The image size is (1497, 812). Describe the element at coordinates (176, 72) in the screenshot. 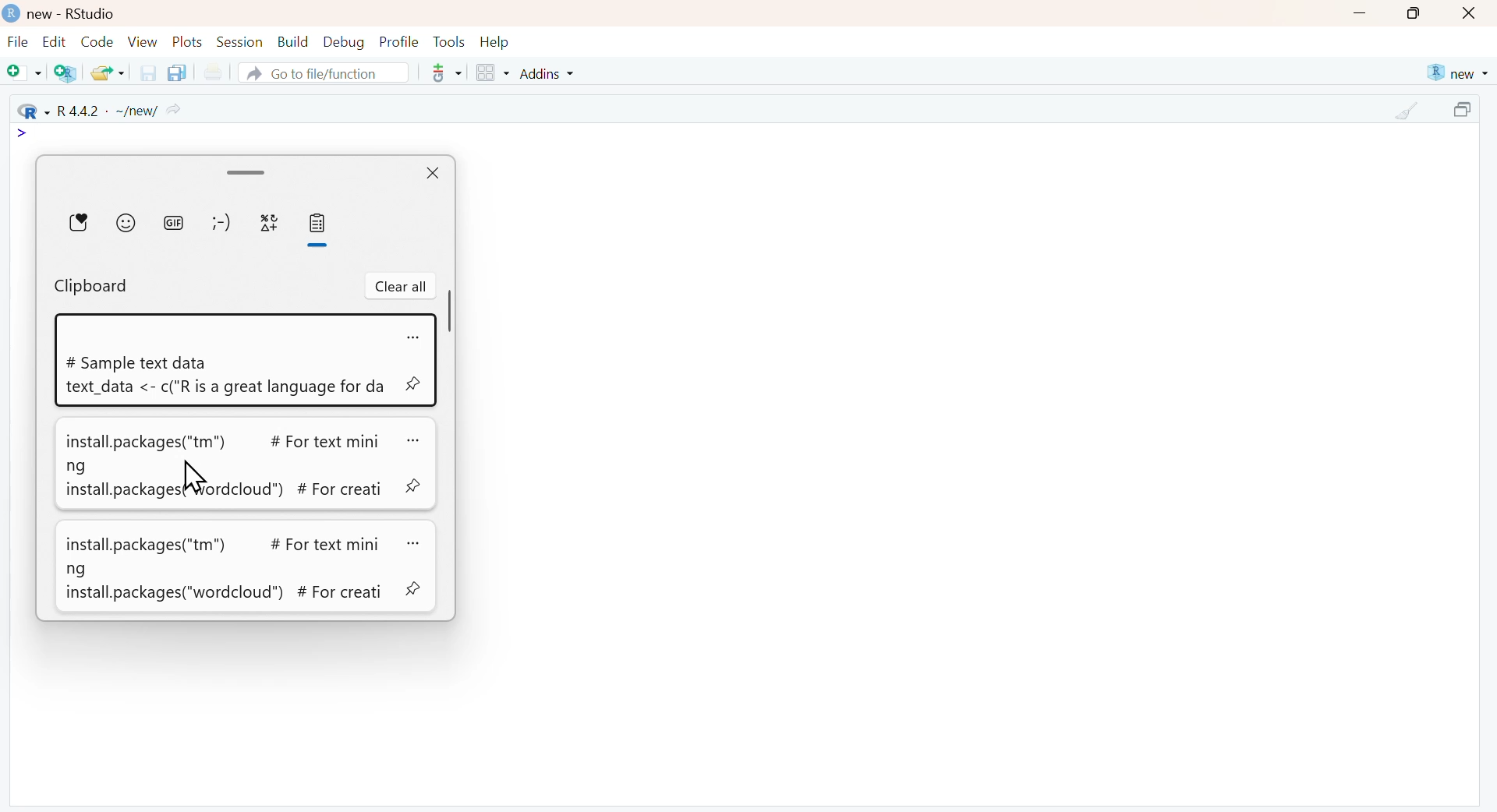

I see `Save all the open documents` at that location.